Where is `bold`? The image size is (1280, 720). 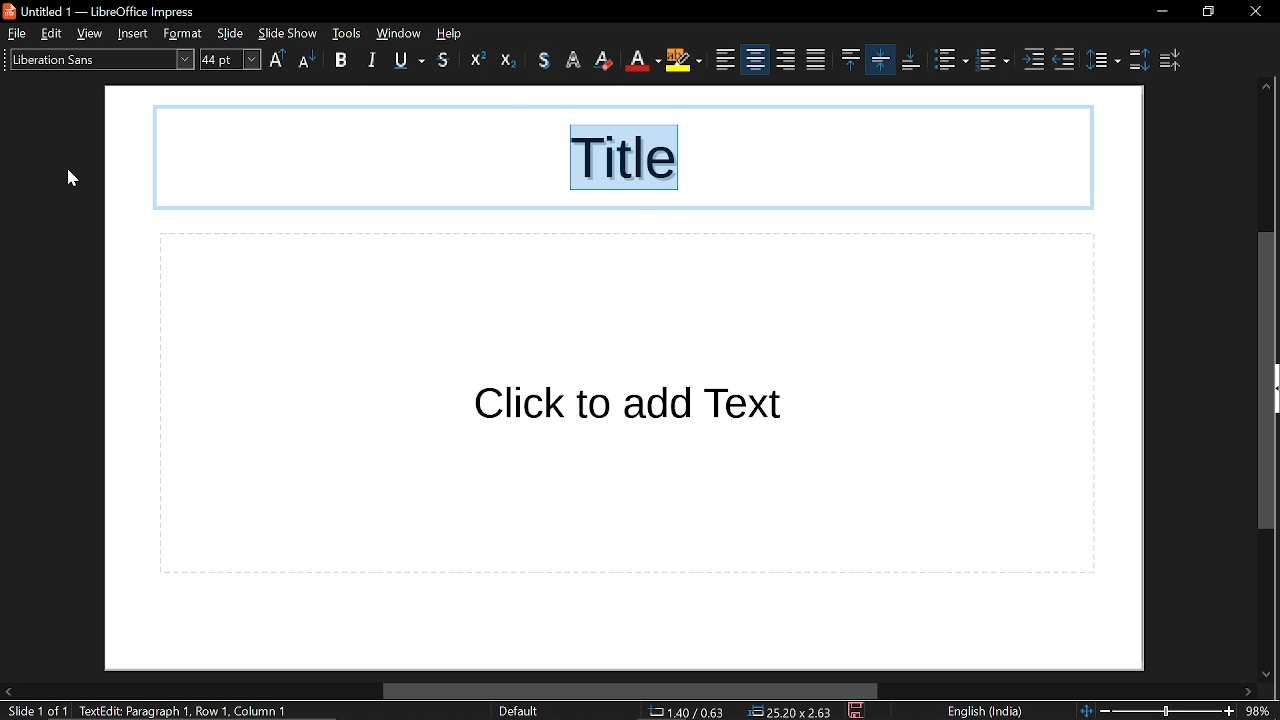 bold is located at coordinates (341, 62).